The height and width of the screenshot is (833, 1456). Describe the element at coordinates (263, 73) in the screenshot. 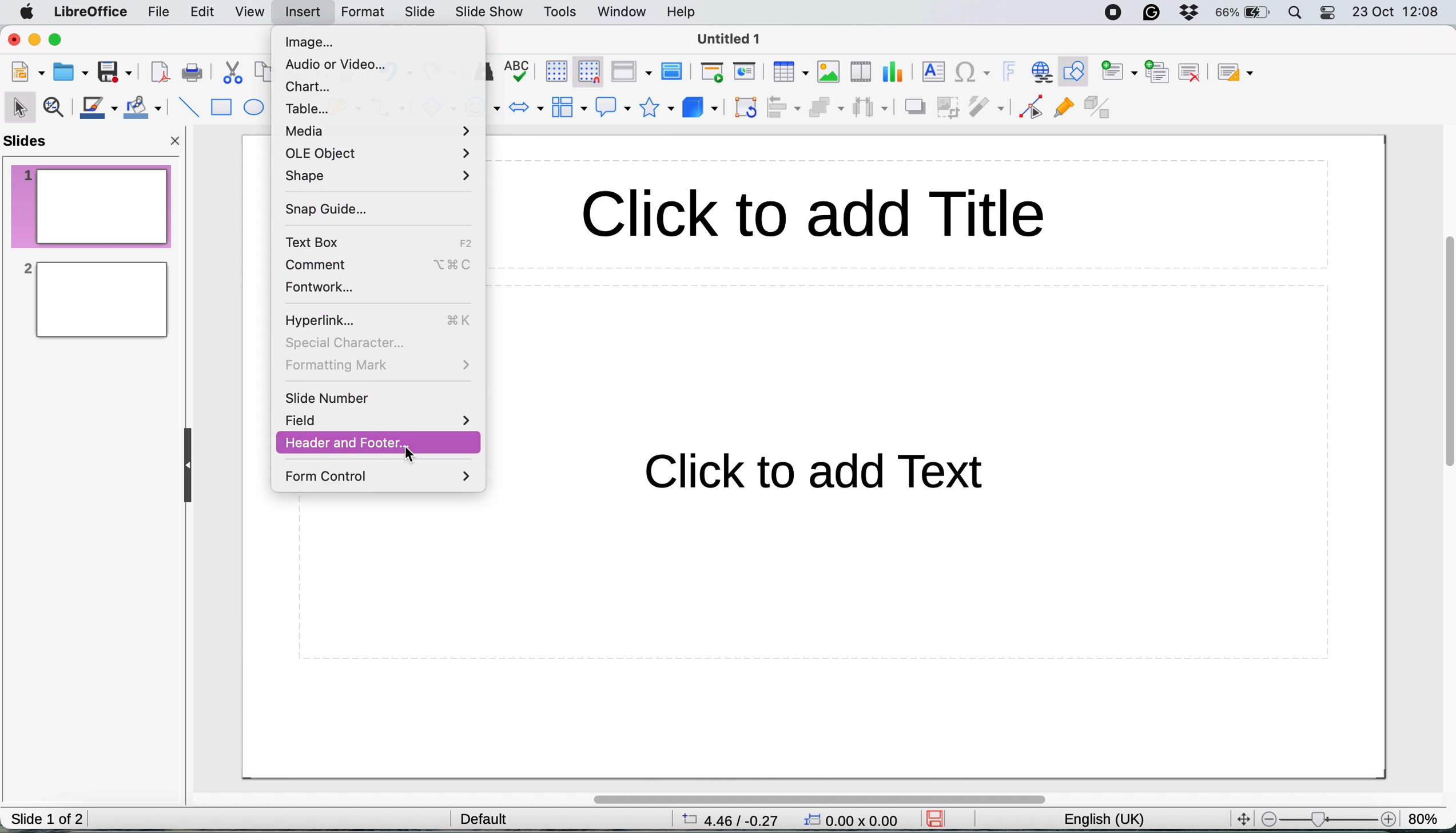

I see `copy` at that location.